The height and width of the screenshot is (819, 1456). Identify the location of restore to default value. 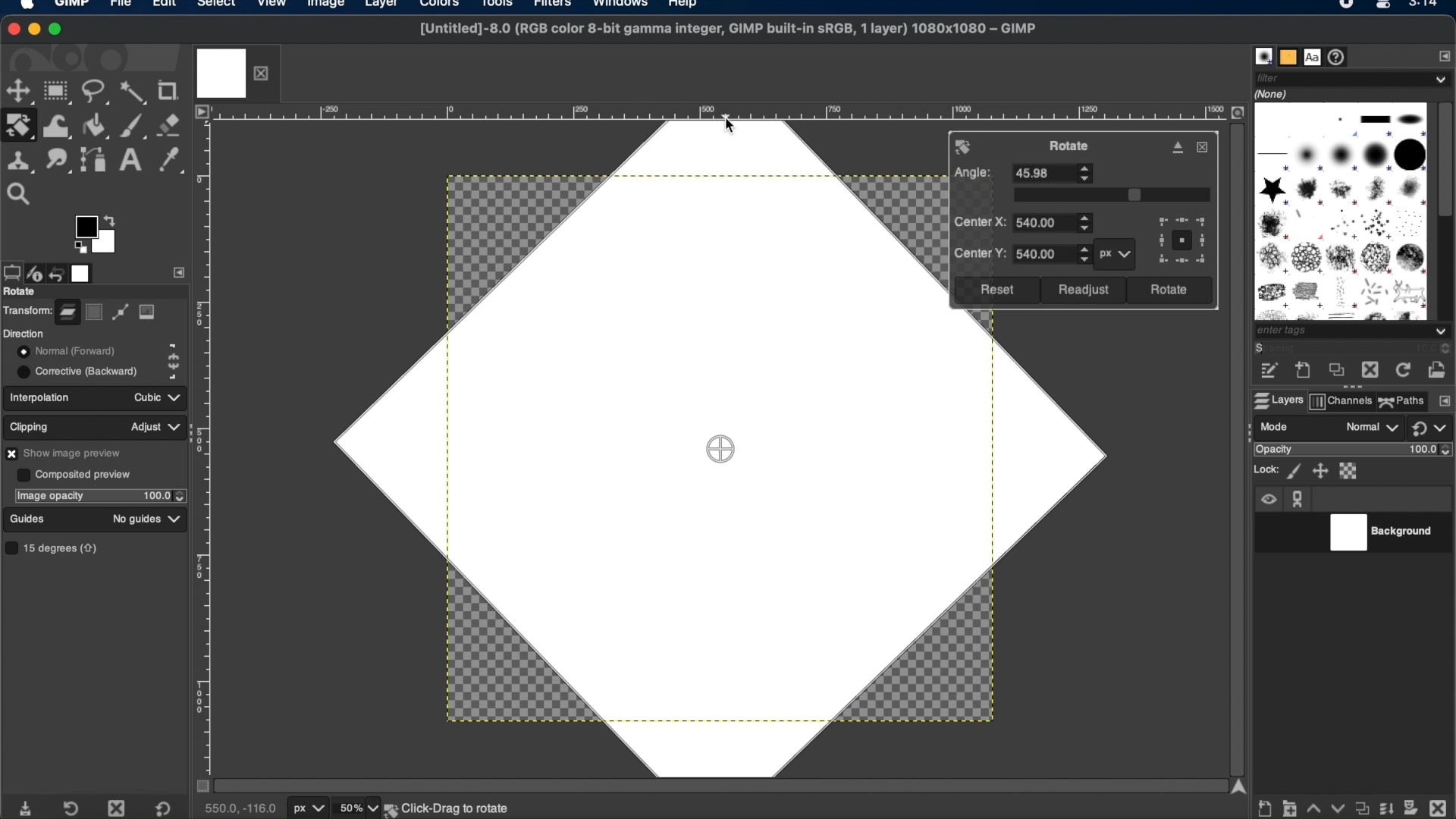
(169, 808).